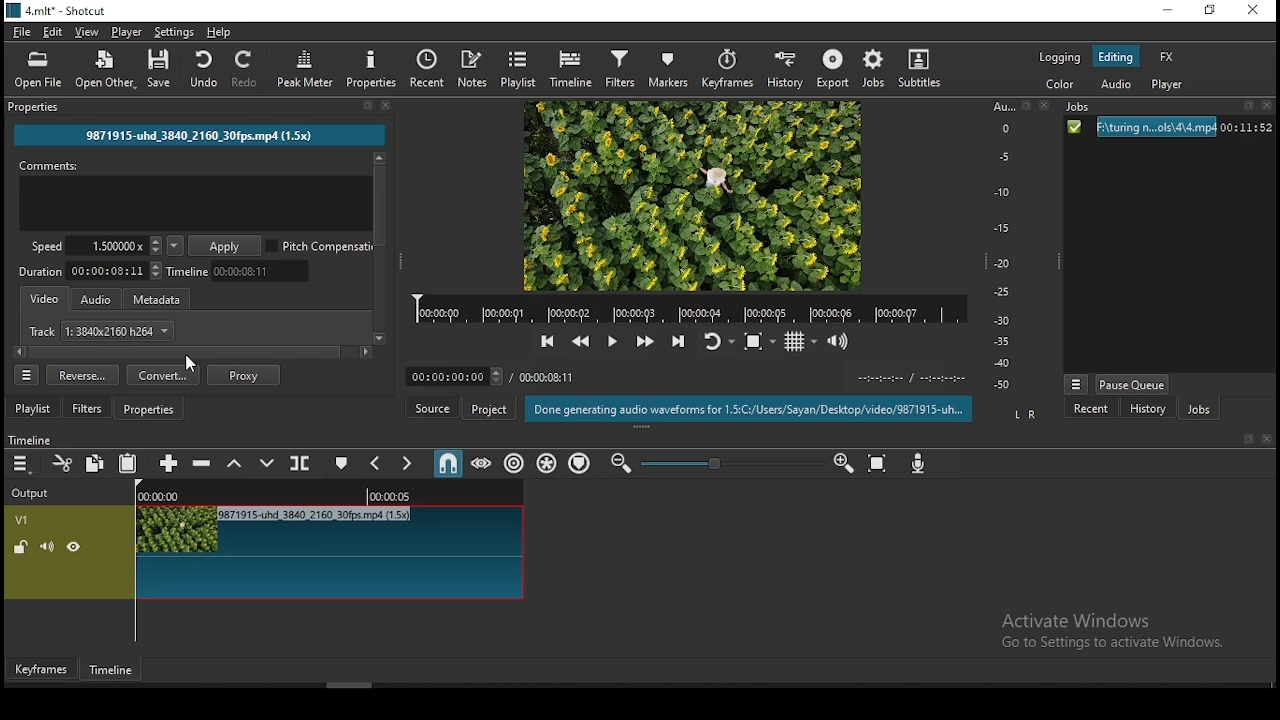 This screenshot has height=720, width=1280. What do you see at coordinates (841, 342) in the screenshot?
I see `show volume control` at bounding box center [841, 342].